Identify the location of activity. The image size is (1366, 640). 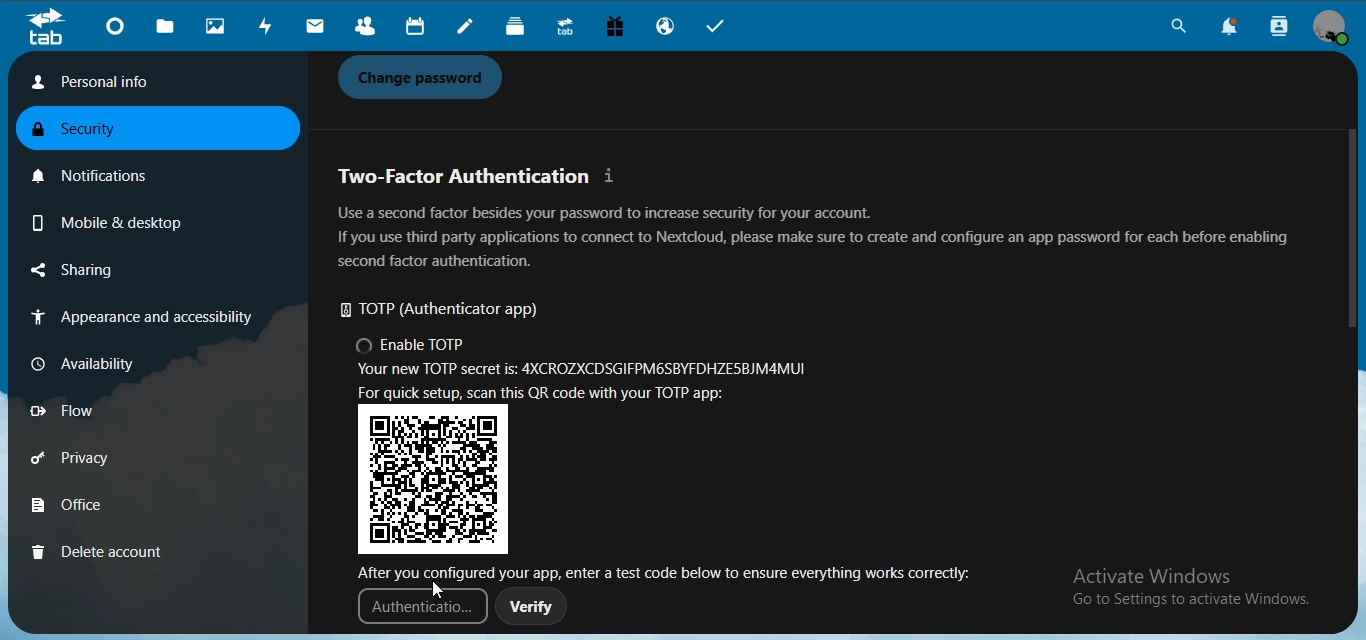
(269, 26).